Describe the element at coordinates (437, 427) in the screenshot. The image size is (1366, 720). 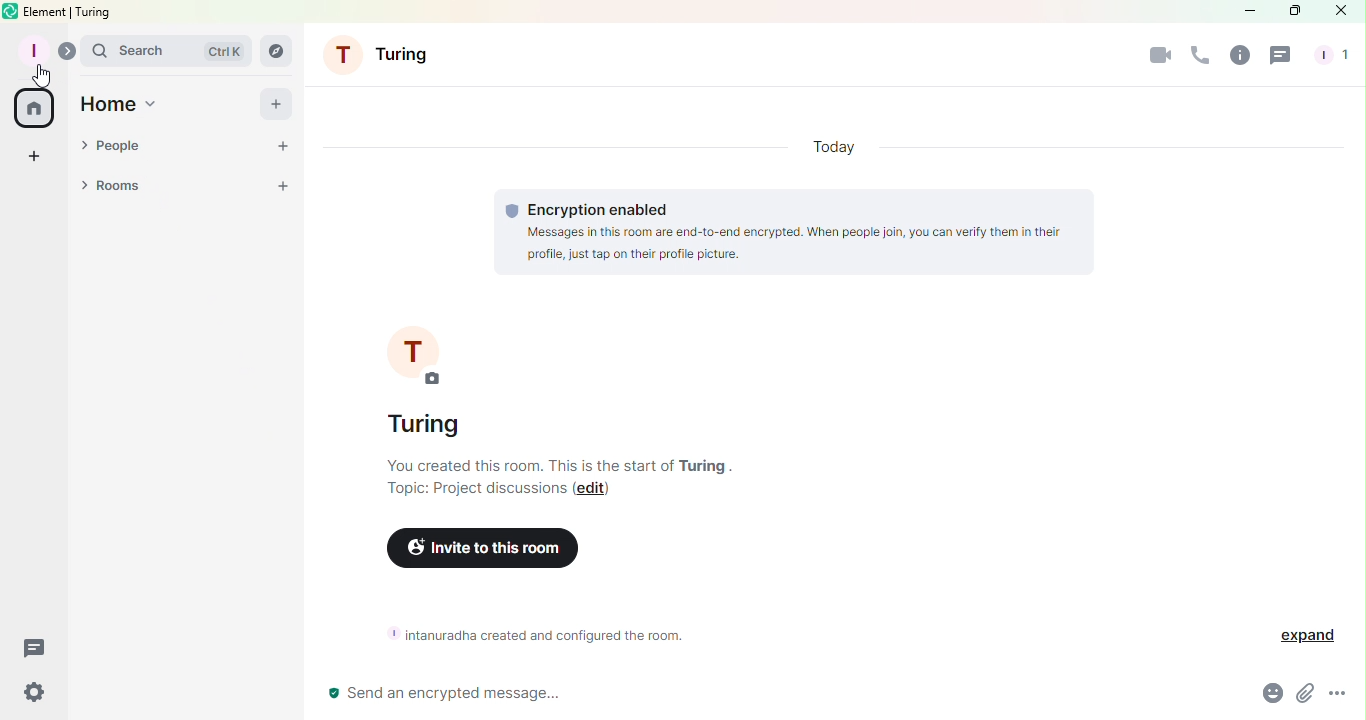
I see `turing` at that location.